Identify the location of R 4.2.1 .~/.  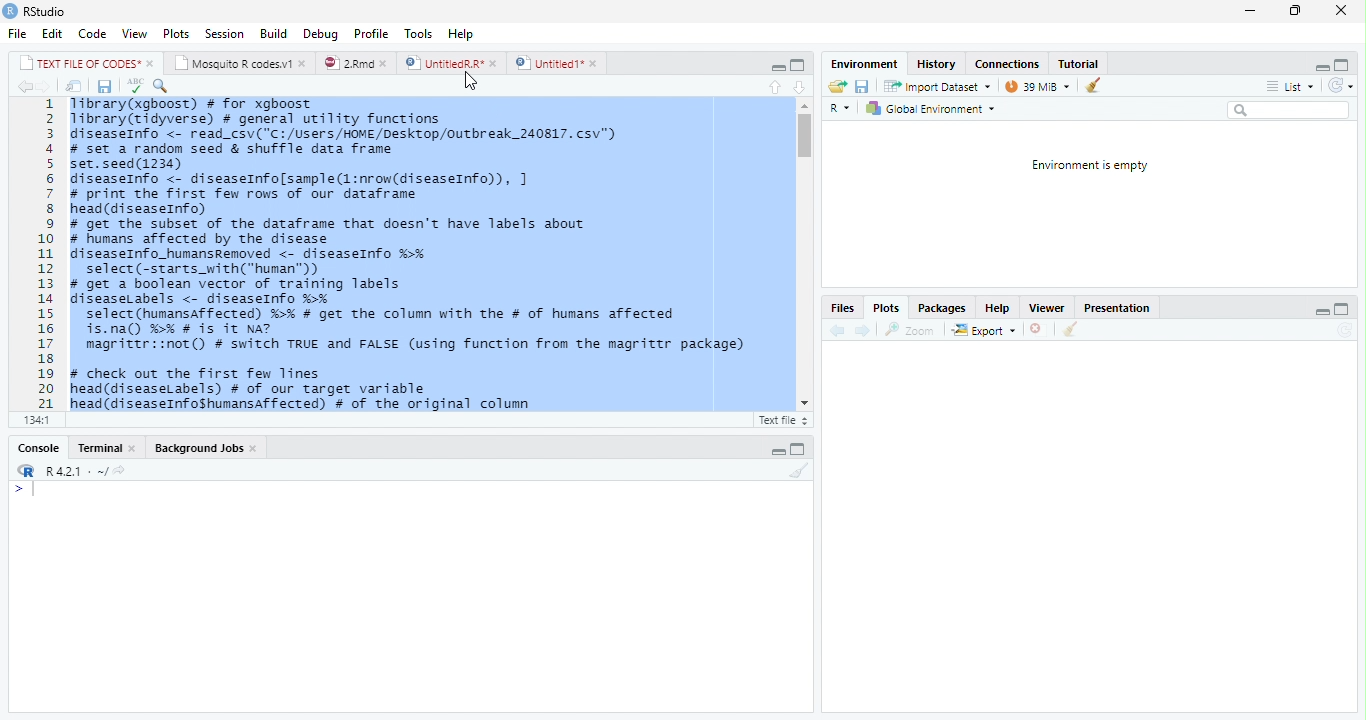
(74, 470).